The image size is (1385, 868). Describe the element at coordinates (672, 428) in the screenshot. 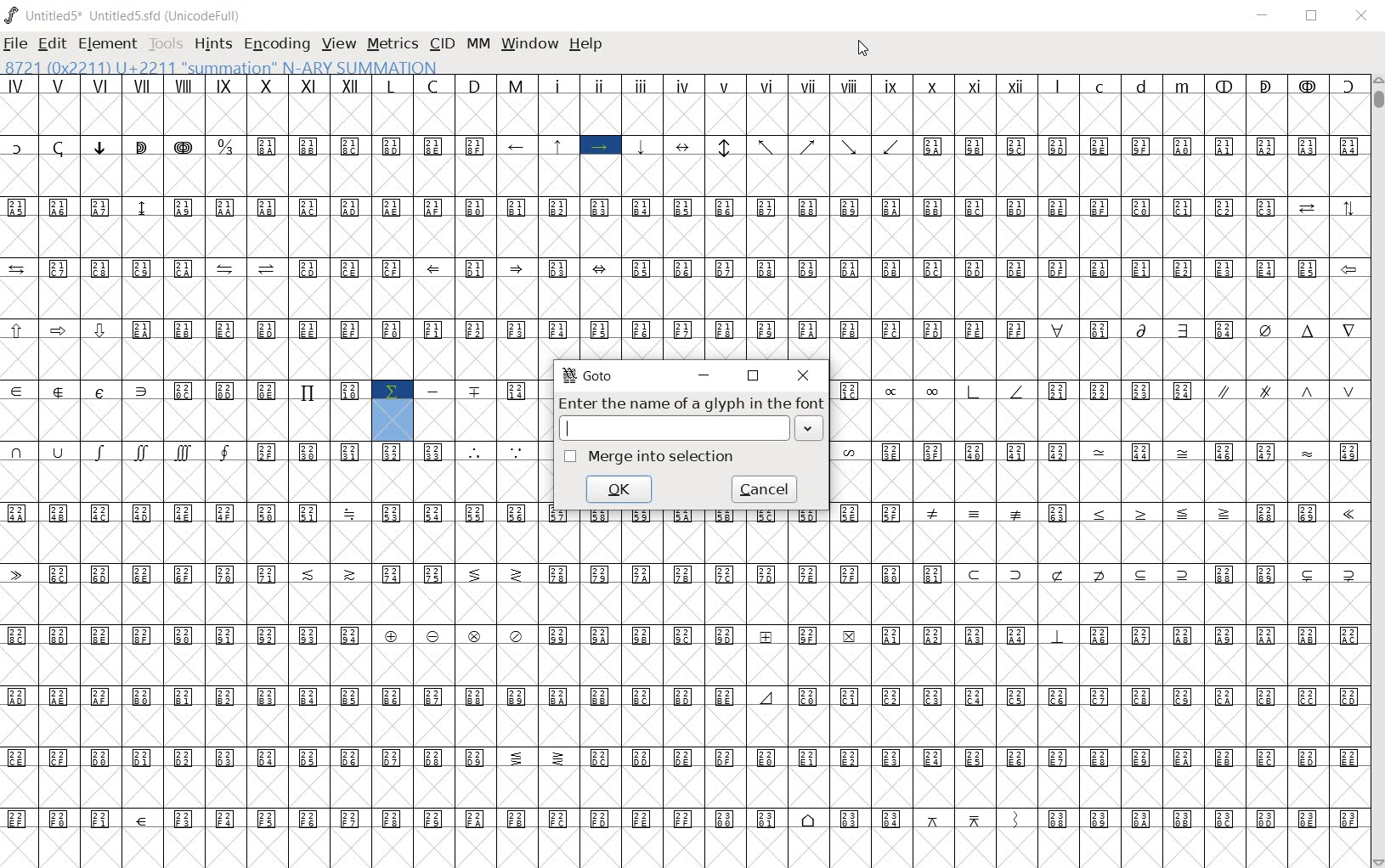

I see `input name box` at that location.